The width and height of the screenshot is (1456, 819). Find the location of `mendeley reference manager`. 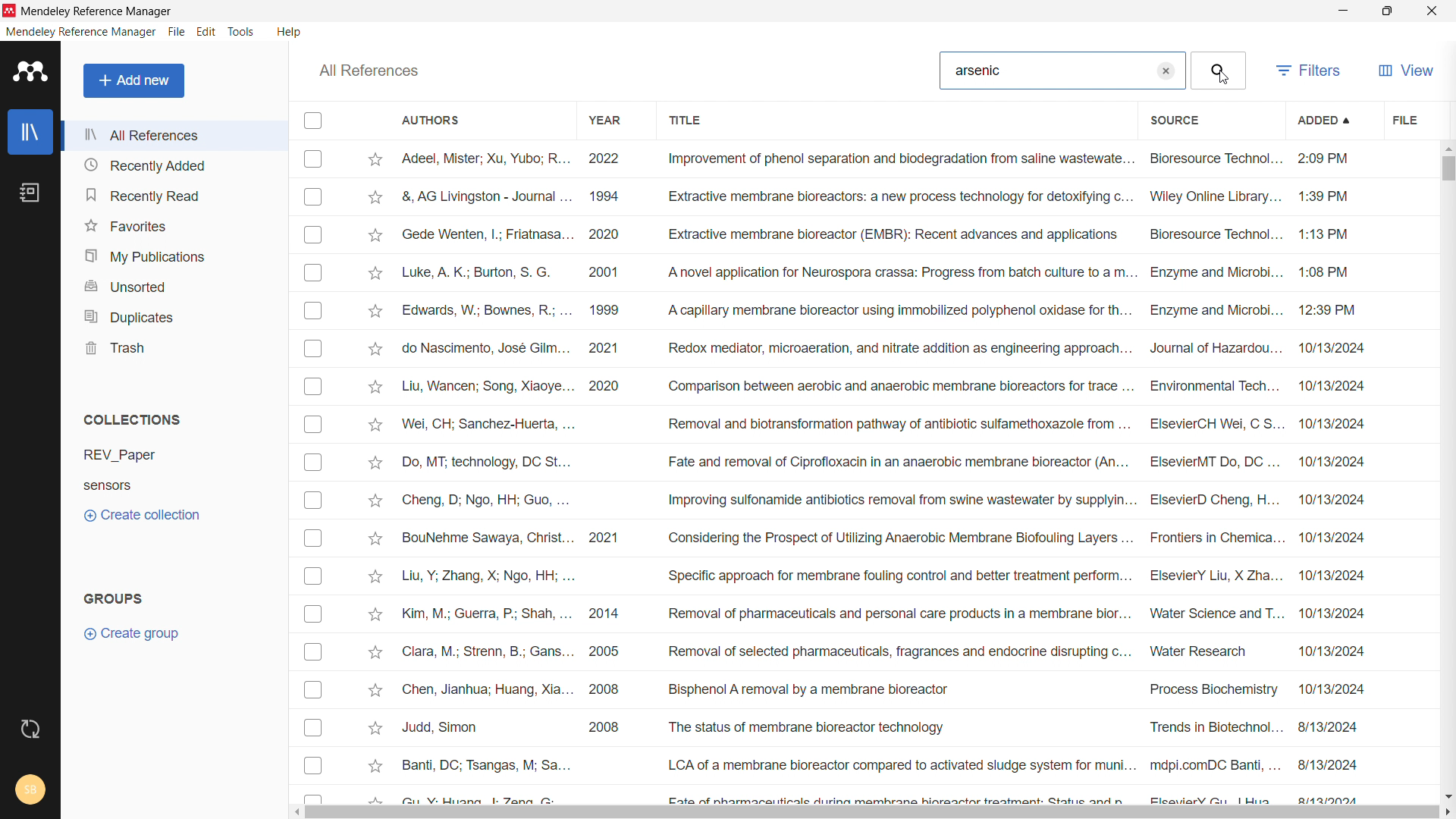

mendeley reference manager is located at coordinates (81, 31).